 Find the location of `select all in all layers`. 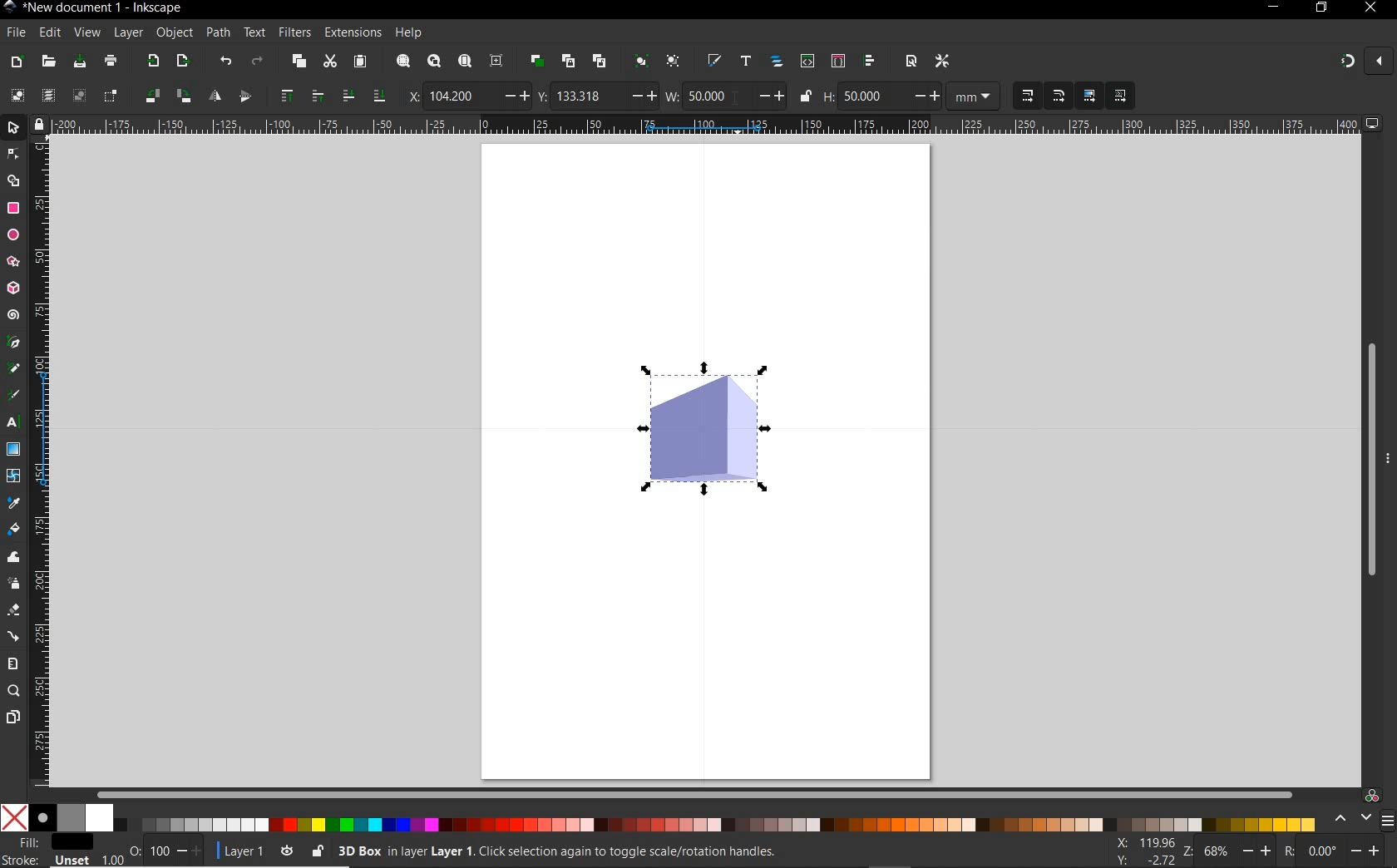

select all in all layers is located at coordinates (47, 95).